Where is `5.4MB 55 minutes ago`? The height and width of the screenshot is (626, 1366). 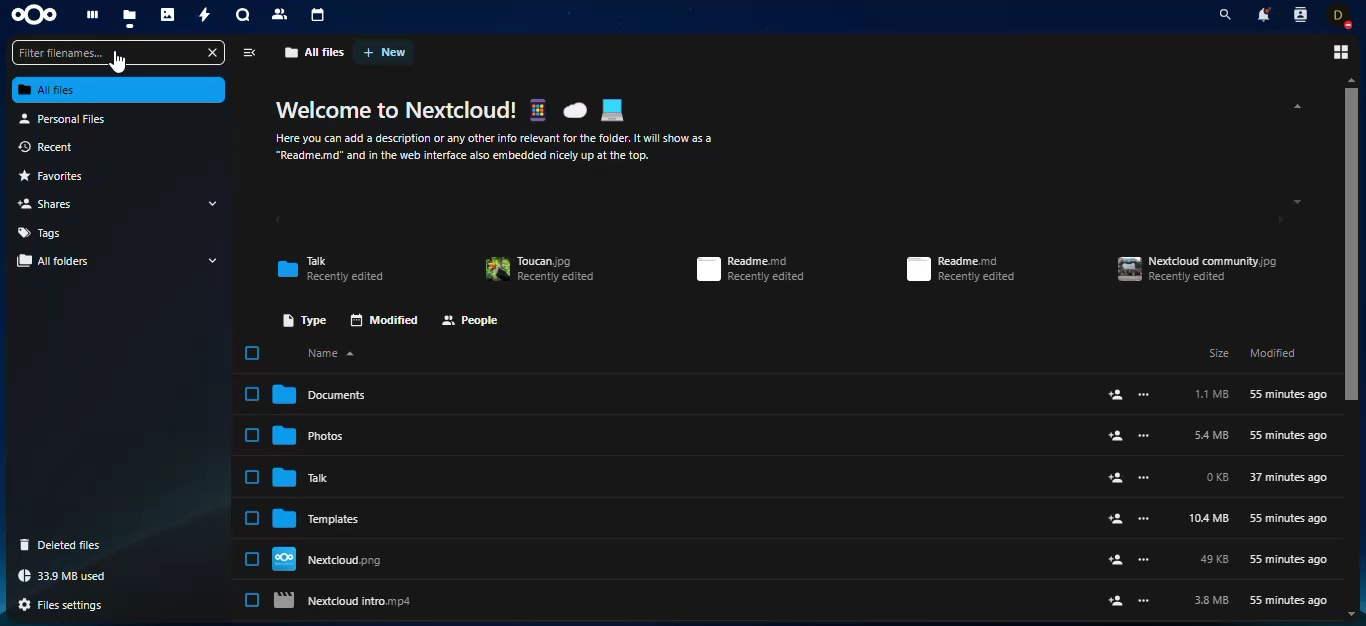 5.4MB 55 minutes ago is located at coordinates (1260, 436).